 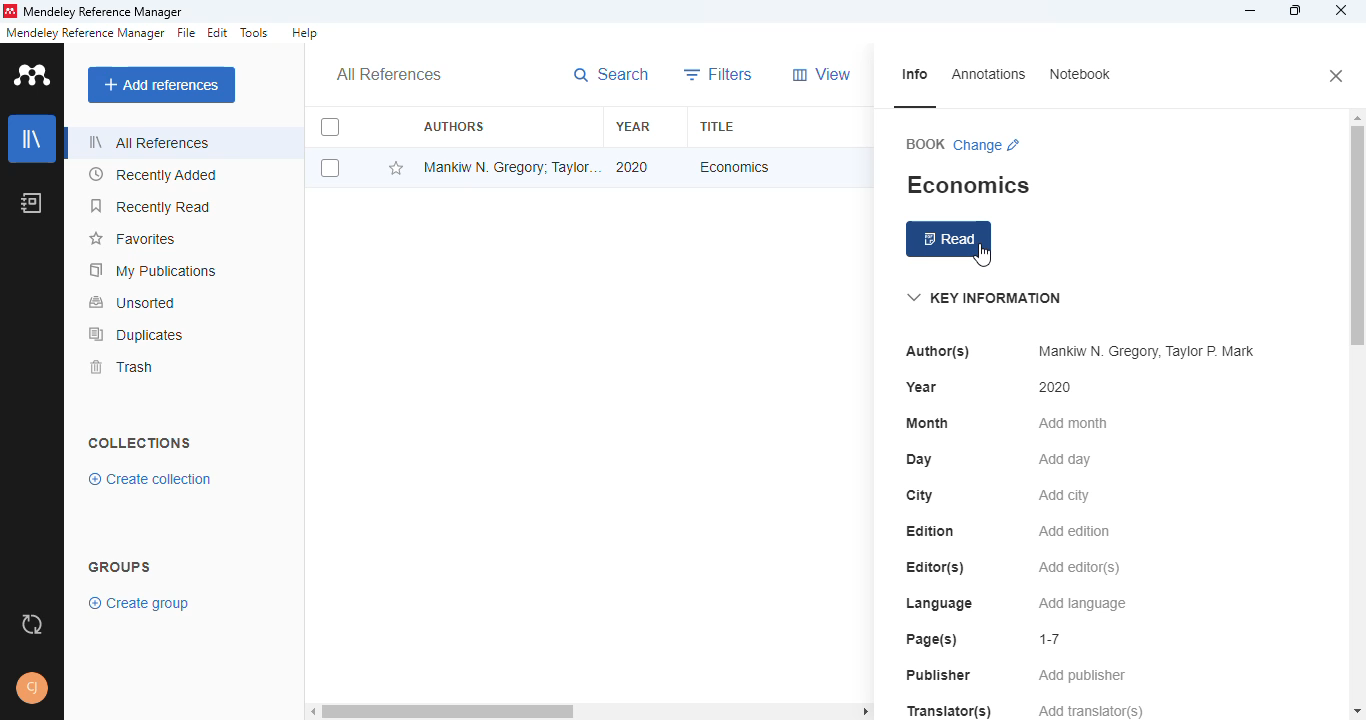 I want to click on add city, so click(x=1064, y=496).